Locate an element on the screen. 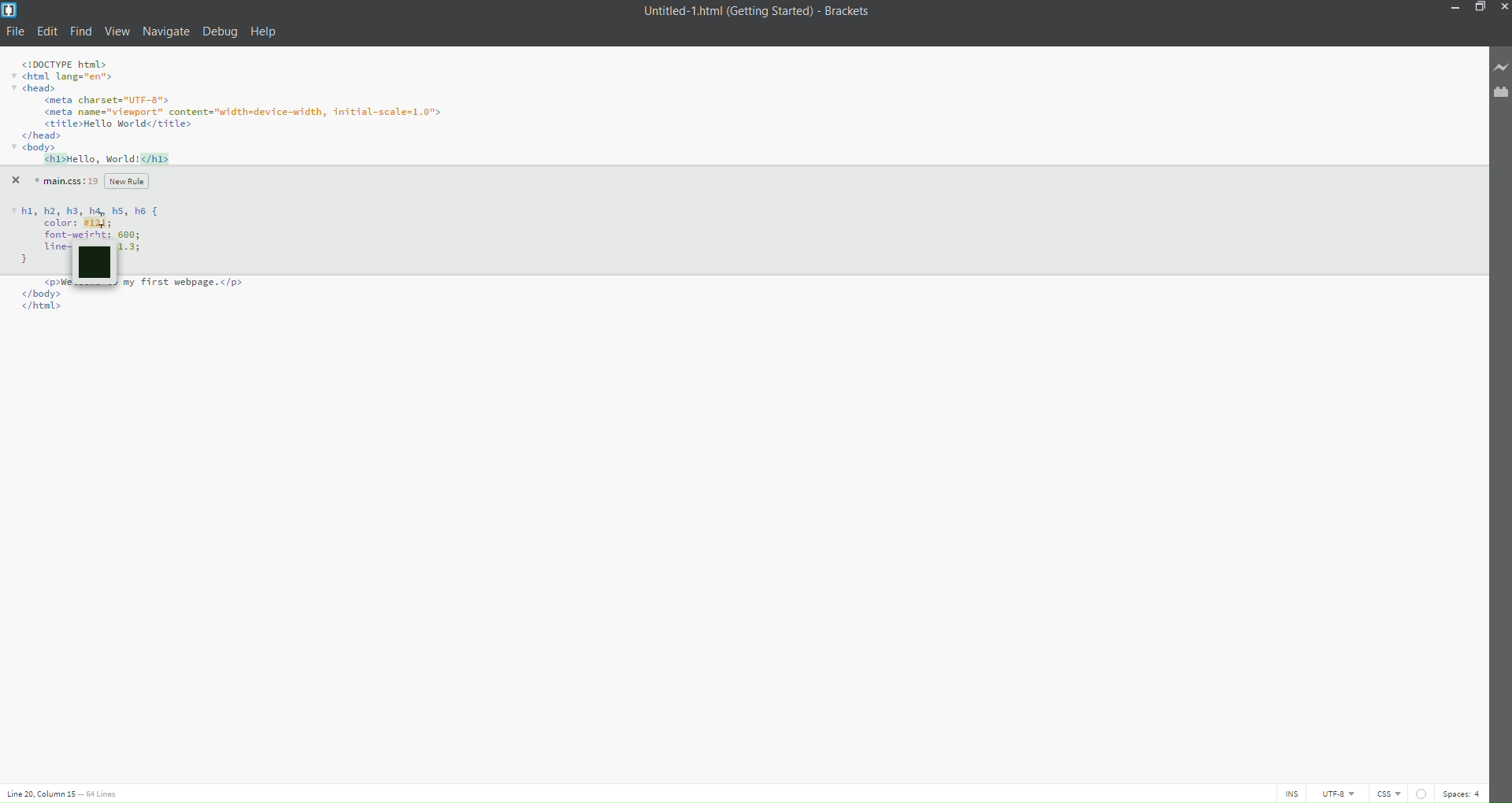 The image size is (1512, 803). utf-8 is located at coordinates (1331, 794).